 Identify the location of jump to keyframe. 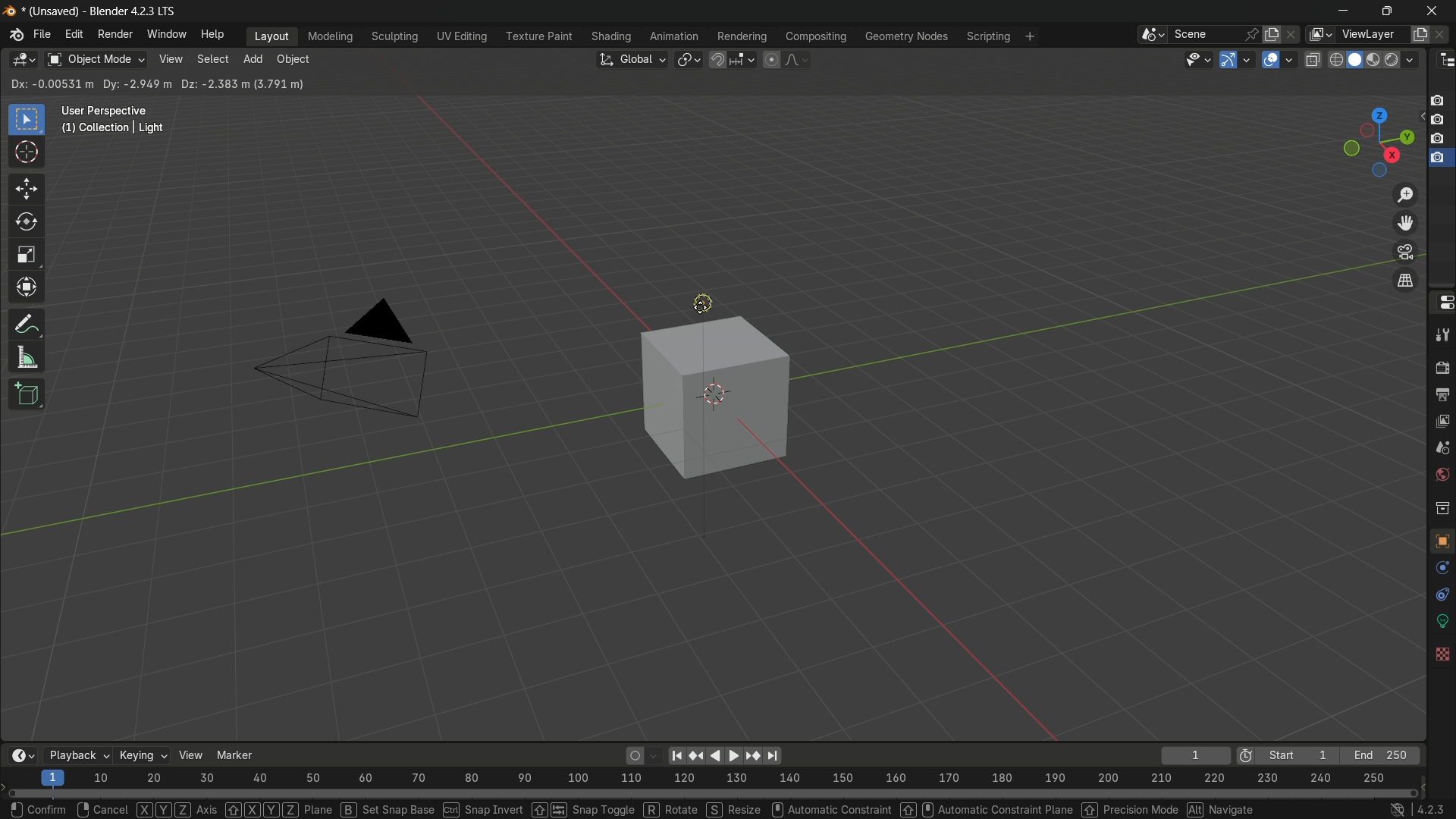
(698, 755).